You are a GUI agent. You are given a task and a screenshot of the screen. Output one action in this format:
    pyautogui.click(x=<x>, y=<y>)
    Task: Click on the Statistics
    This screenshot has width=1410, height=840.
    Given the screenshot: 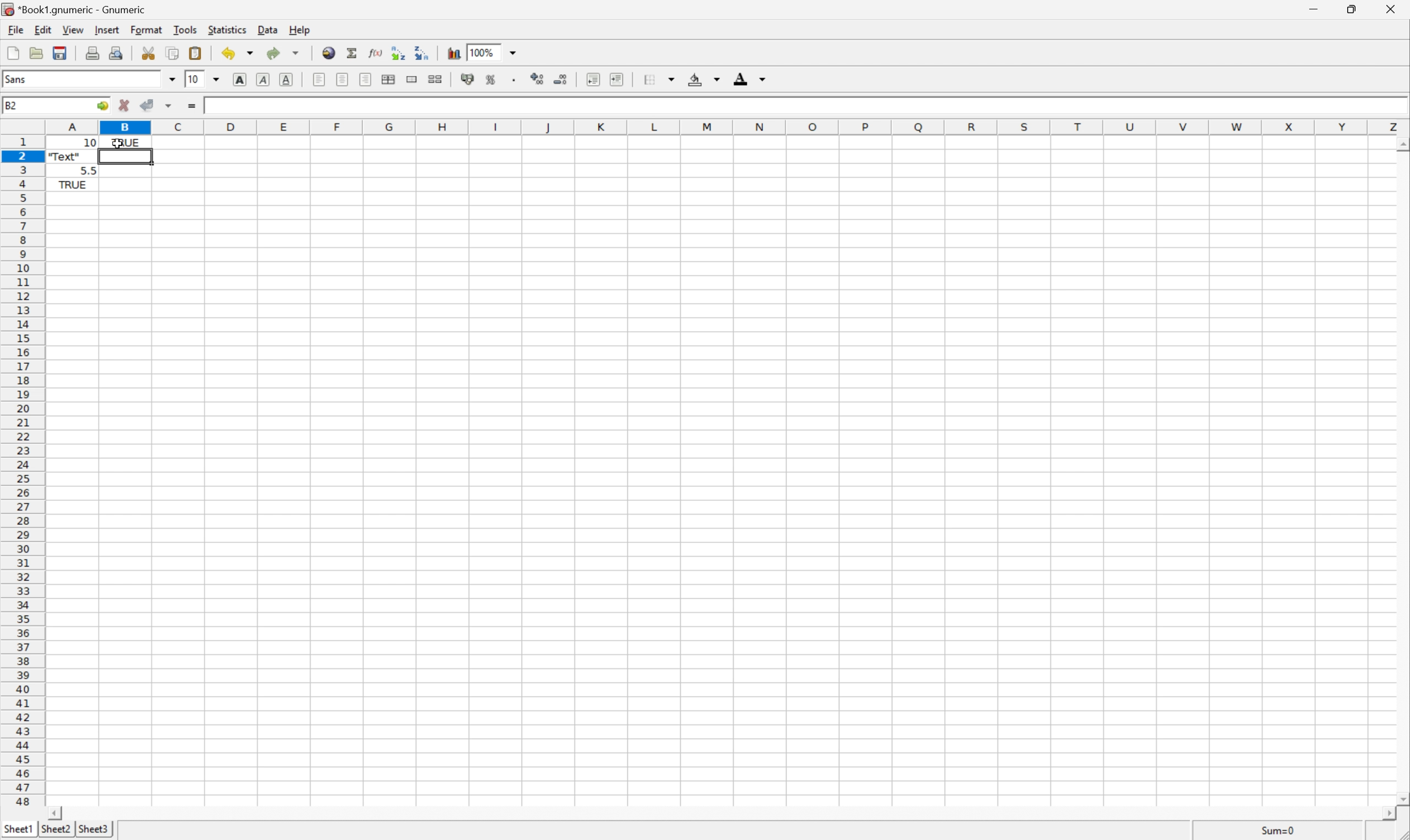 What is the action you would take?
    pyautogui.click(x=227, y=29)
    